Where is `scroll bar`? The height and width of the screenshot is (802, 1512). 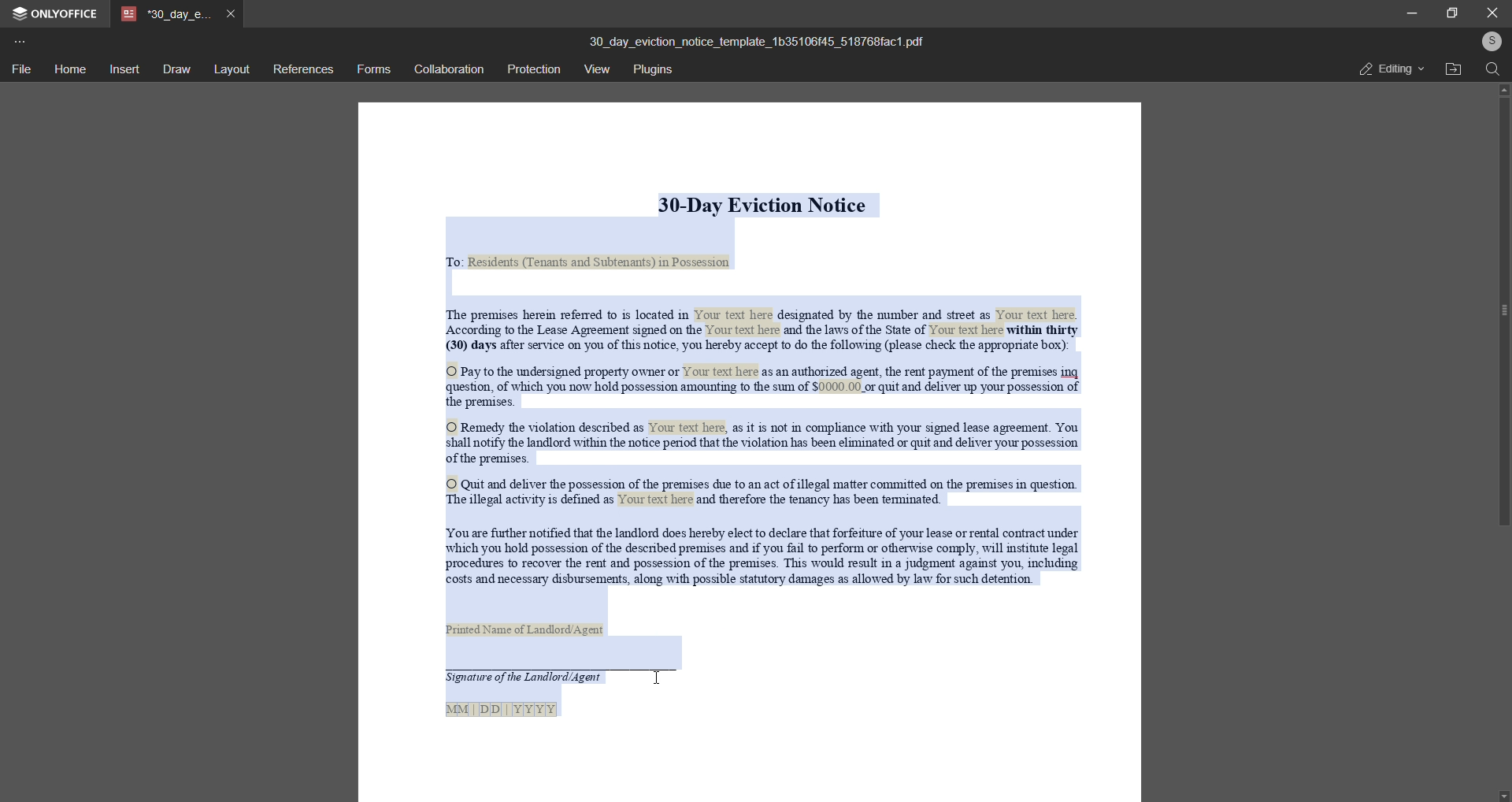
scroll bar is located at coordinates (1499, 314).